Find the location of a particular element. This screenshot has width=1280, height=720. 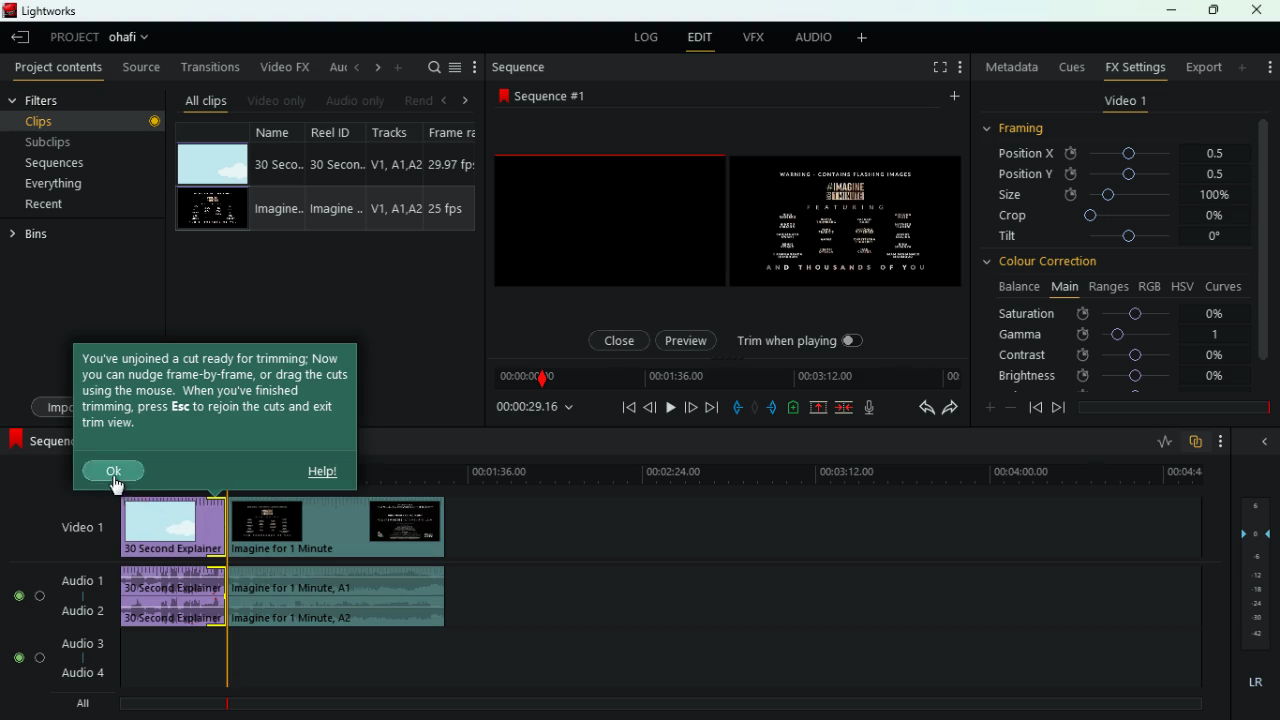

video 1 is located at coordinates (1125, 104).